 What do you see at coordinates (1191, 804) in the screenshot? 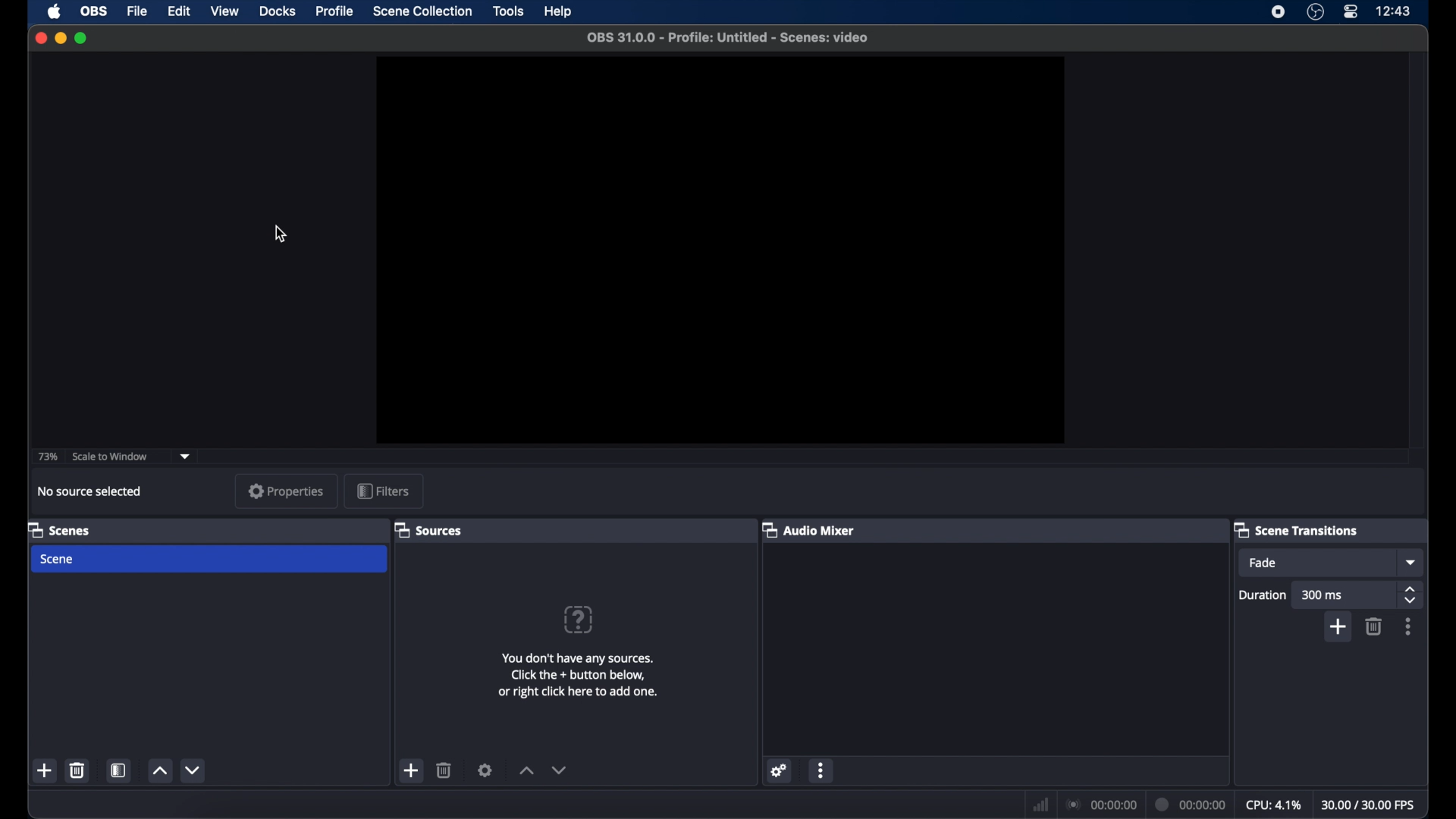
I see `duration` at bounding box center [1191, 804].